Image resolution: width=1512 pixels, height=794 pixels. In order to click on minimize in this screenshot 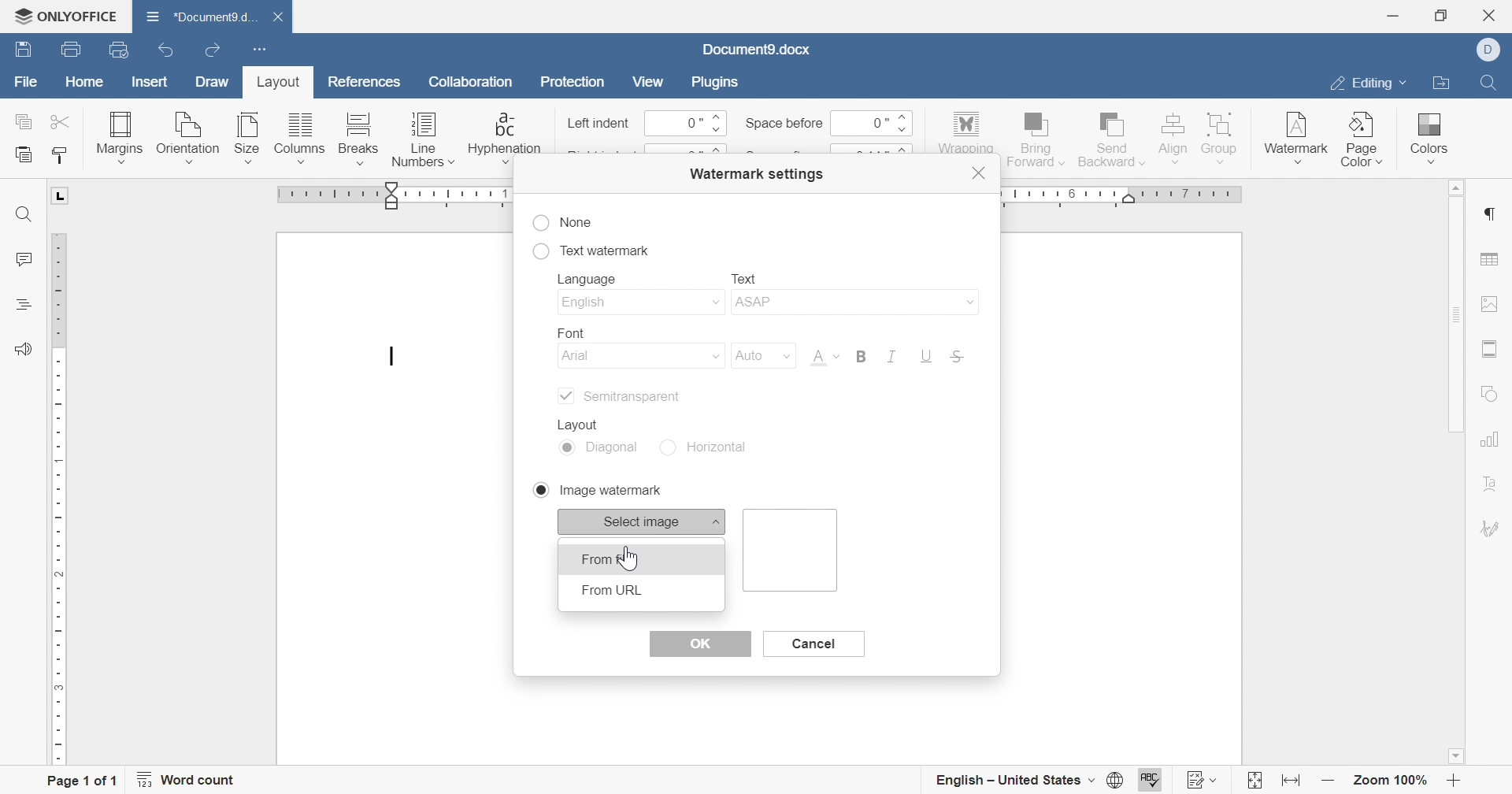, I will do `click(1392, 16)`.